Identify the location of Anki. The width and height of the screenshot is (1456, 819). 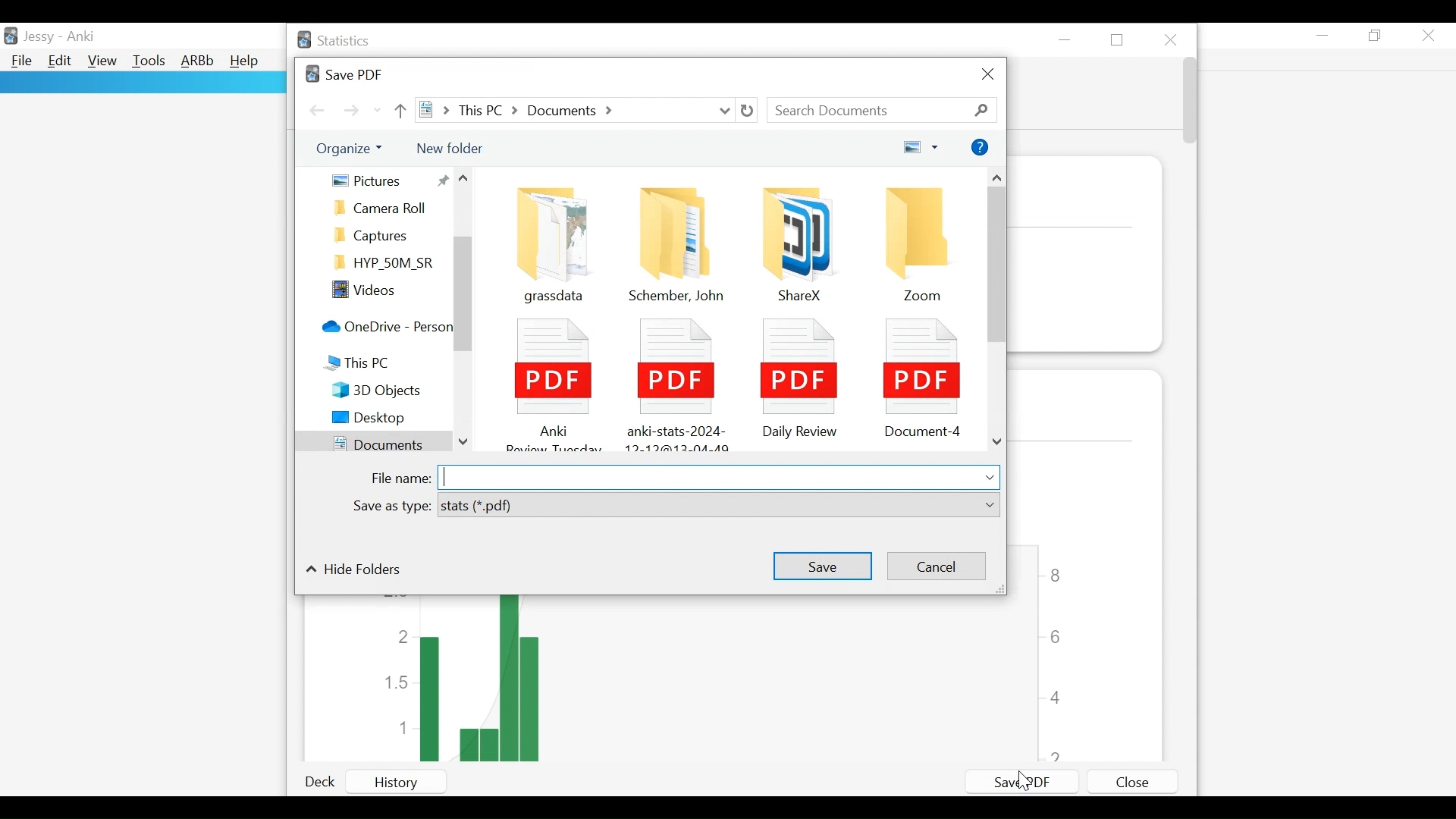
(80, 37).